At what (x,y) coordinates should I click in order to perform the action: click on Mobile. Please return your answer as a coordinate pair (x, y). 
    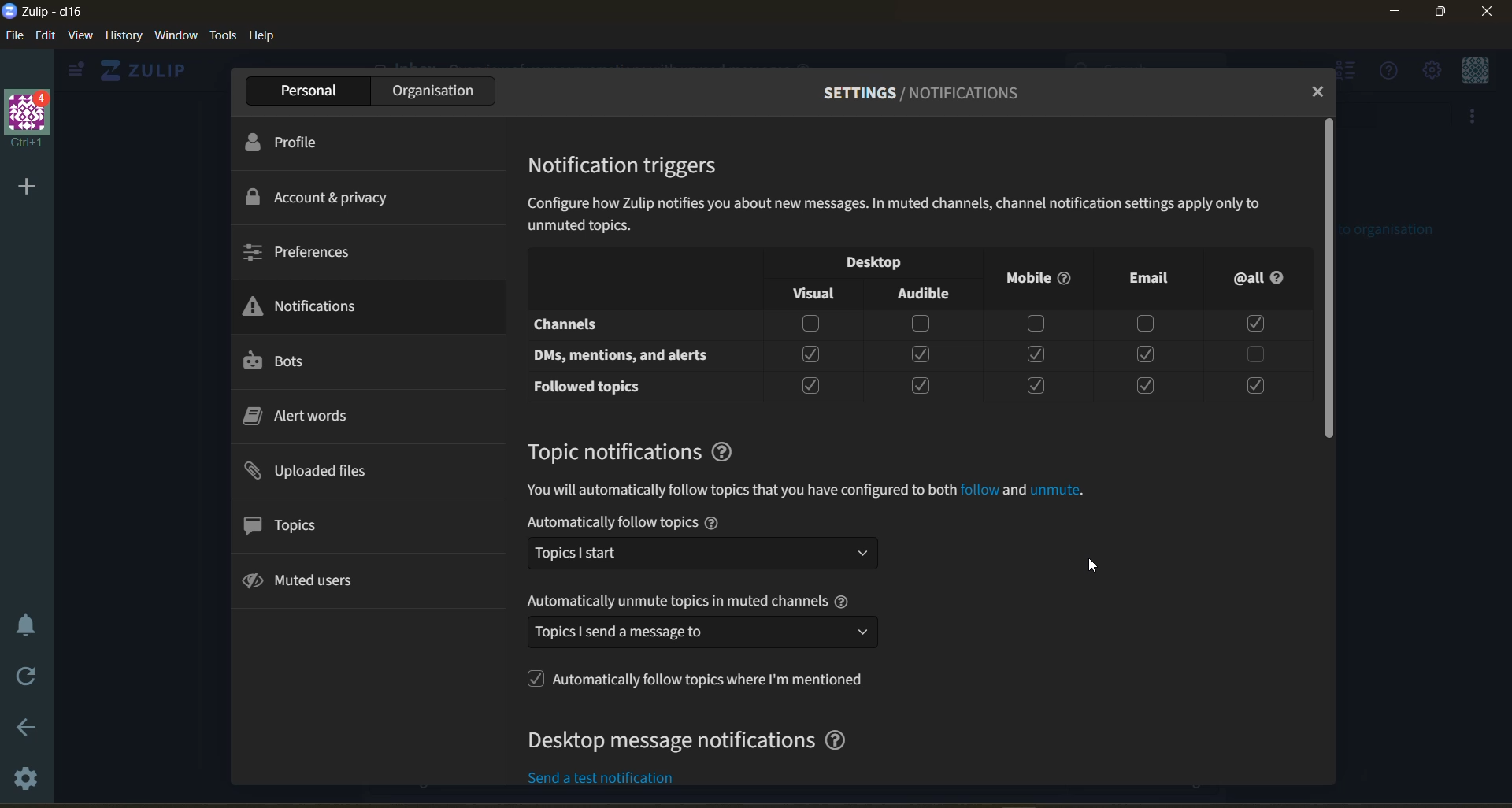
    Looking at the image, I should click on (1039, 278).